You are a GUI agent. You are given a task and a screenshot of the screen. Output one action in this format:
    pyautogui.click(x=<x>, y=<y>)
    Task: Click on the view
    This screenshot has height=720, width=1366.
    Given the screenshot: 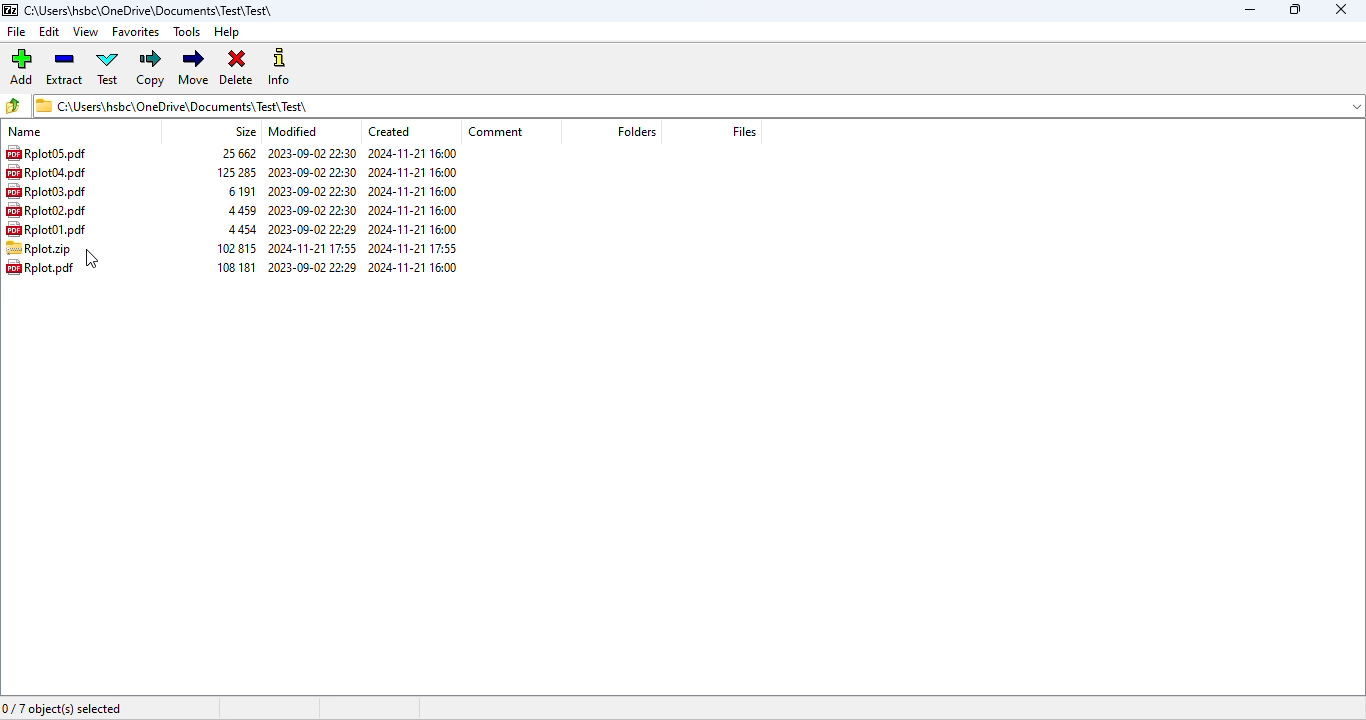 What is the action you would take?
    pyautogui.click(x=85, y=31)
    